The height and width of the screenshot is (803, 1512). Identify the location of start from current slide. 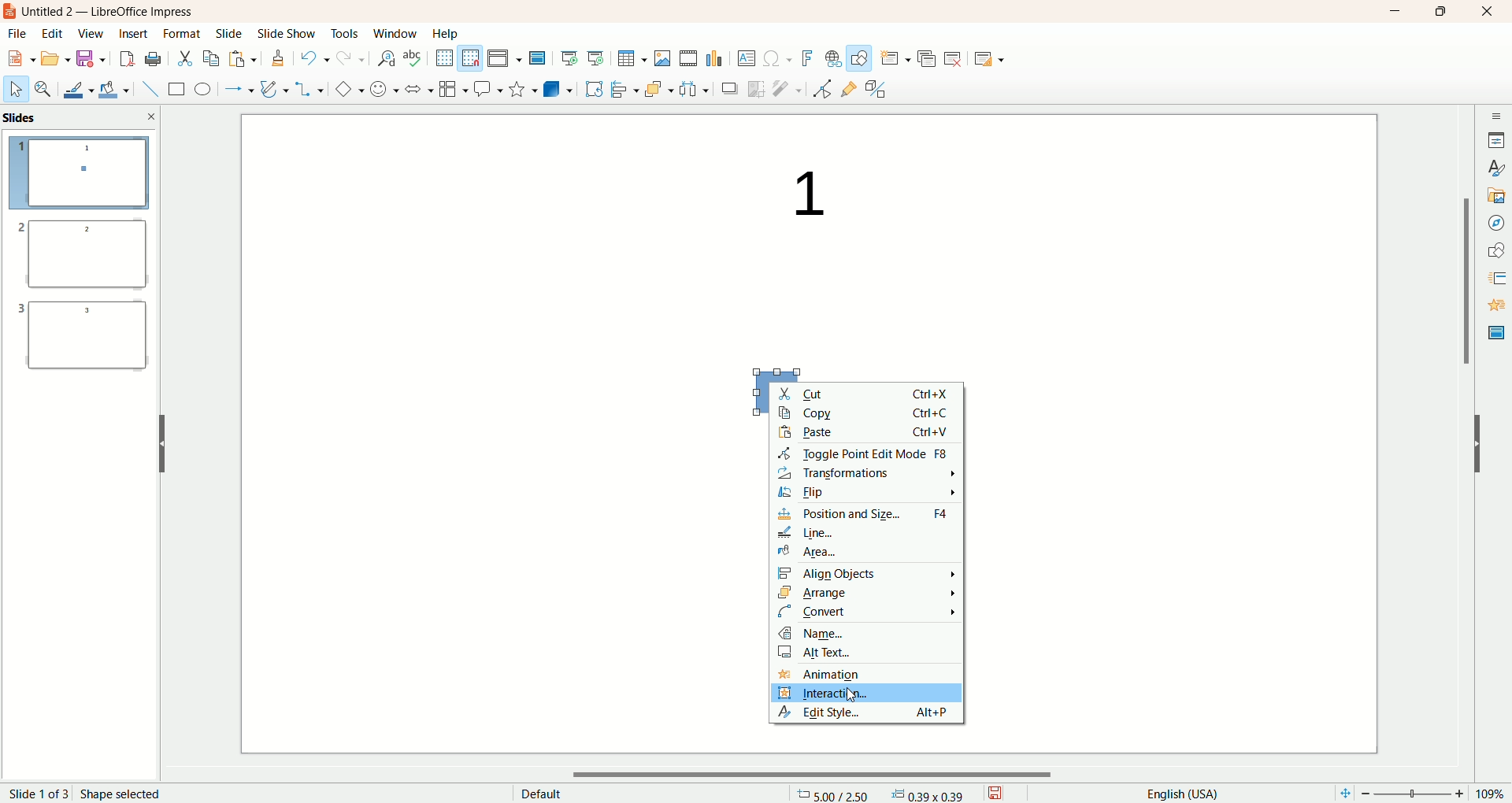
(596, 56).